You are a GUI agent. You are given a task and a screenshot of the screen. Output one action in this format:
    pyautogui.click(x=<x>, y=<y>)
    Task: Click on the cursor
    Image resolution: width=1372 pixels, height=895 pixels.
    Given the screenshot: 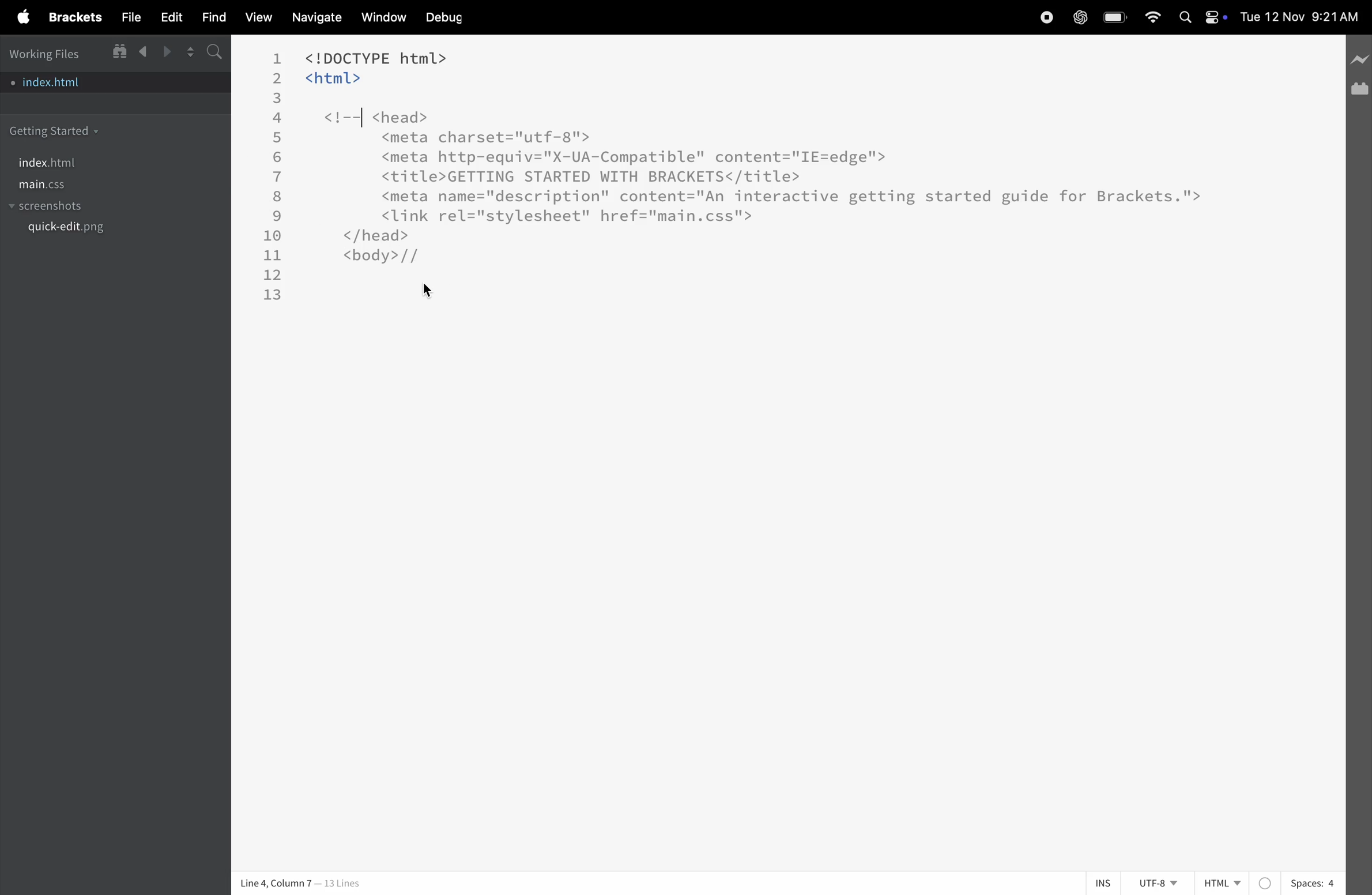 What is the action you would take?
    pyautogui.click(x=428, y=289)
    